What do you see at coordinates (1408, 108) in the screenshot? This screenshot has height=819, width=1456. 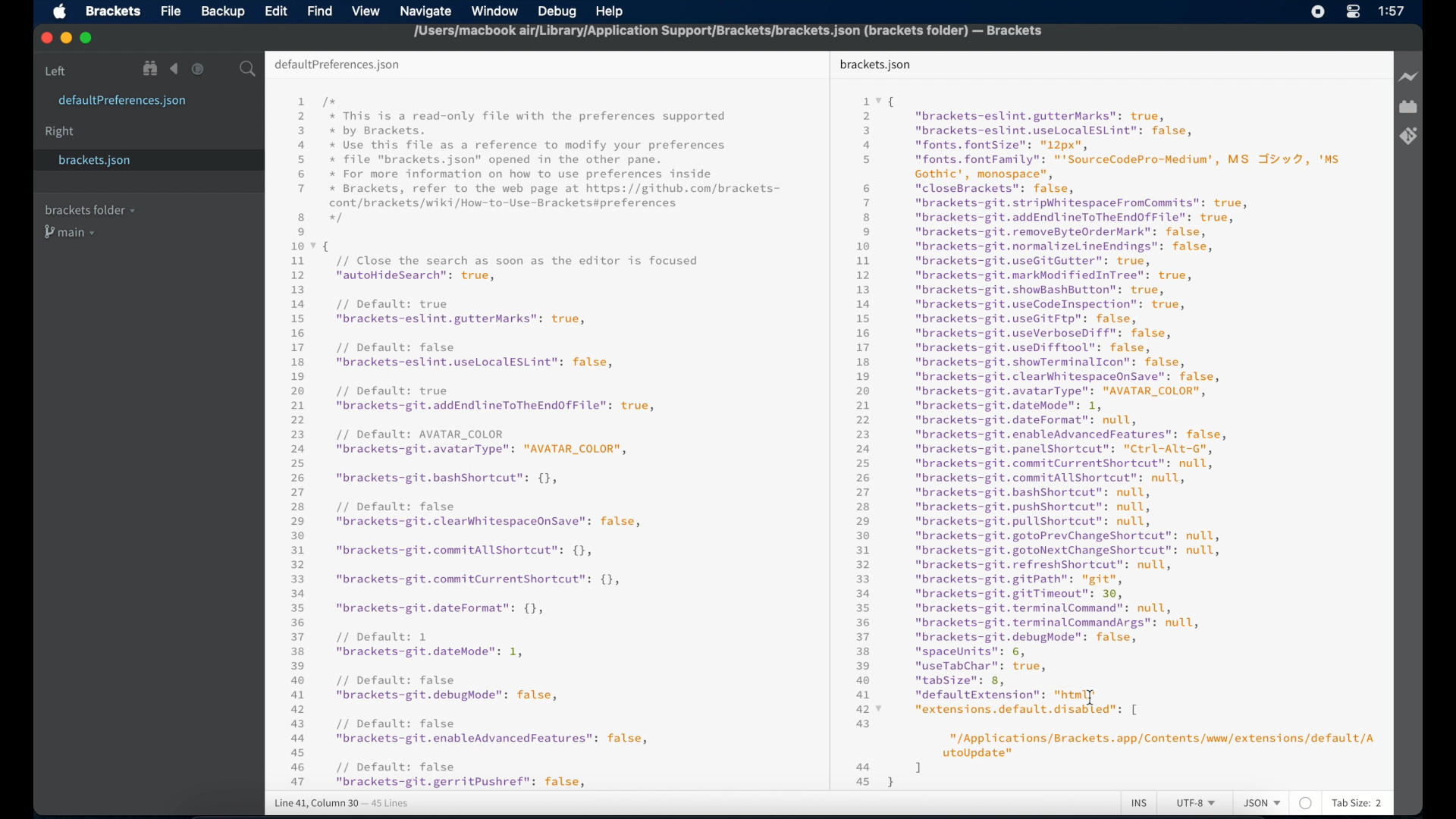 I see `extension manager` at bounding box center [1408, 108].